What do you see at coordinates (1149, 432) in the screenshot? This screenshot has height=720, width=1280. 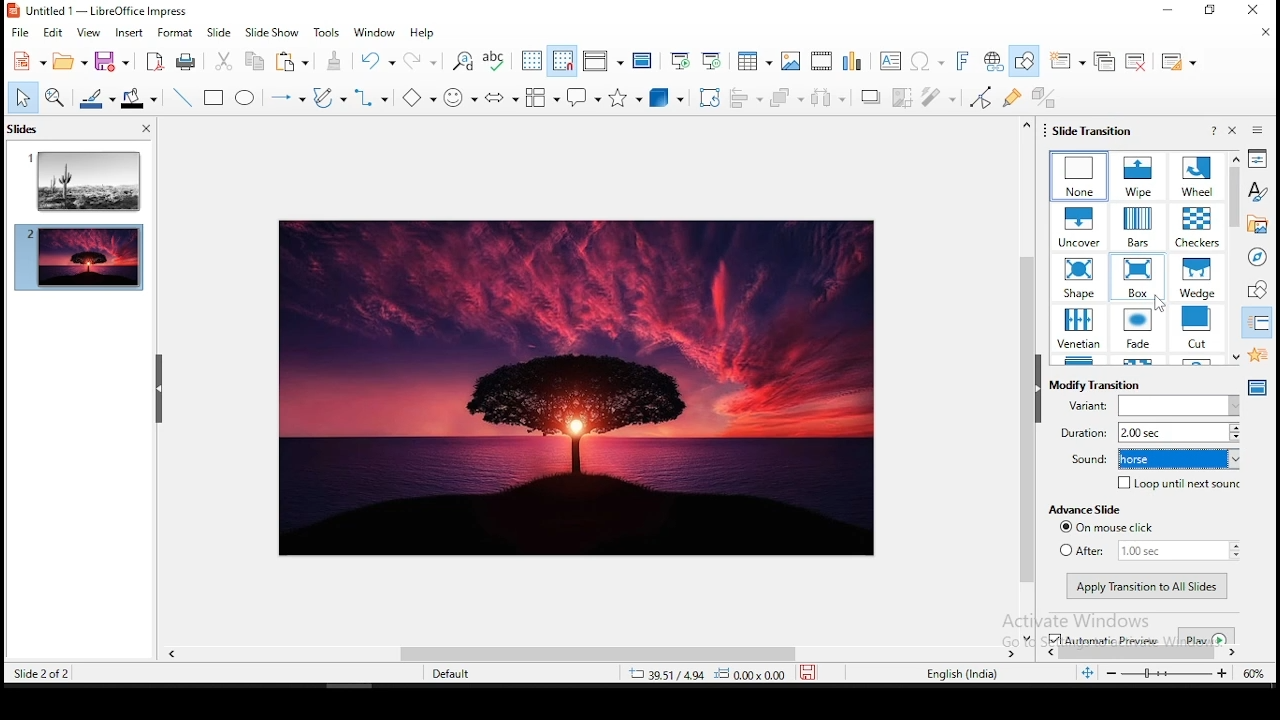 I see `duration` at bounding box center [1149, 432].